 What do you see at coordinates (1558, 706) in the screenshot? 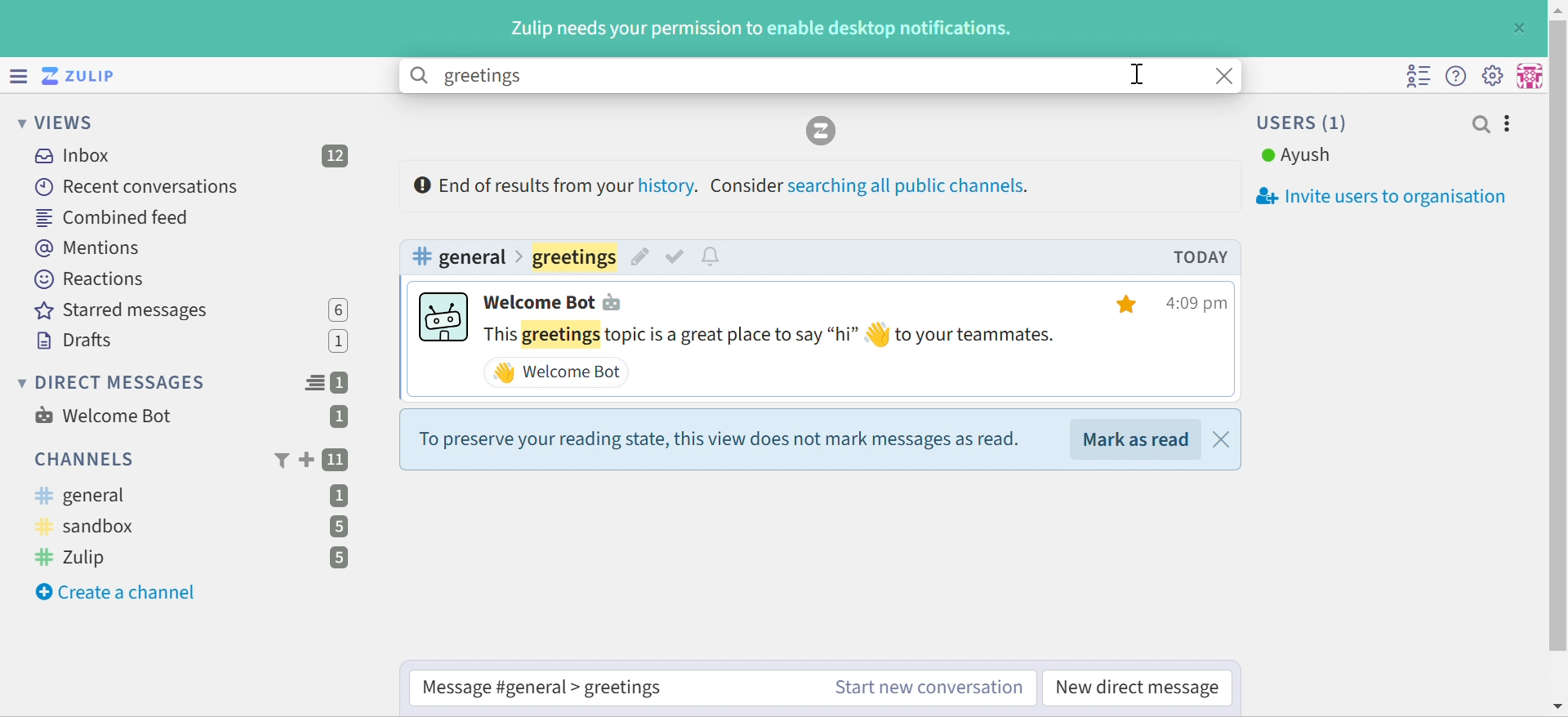
I see `Scroll down` at bounding box center [1558, 706].